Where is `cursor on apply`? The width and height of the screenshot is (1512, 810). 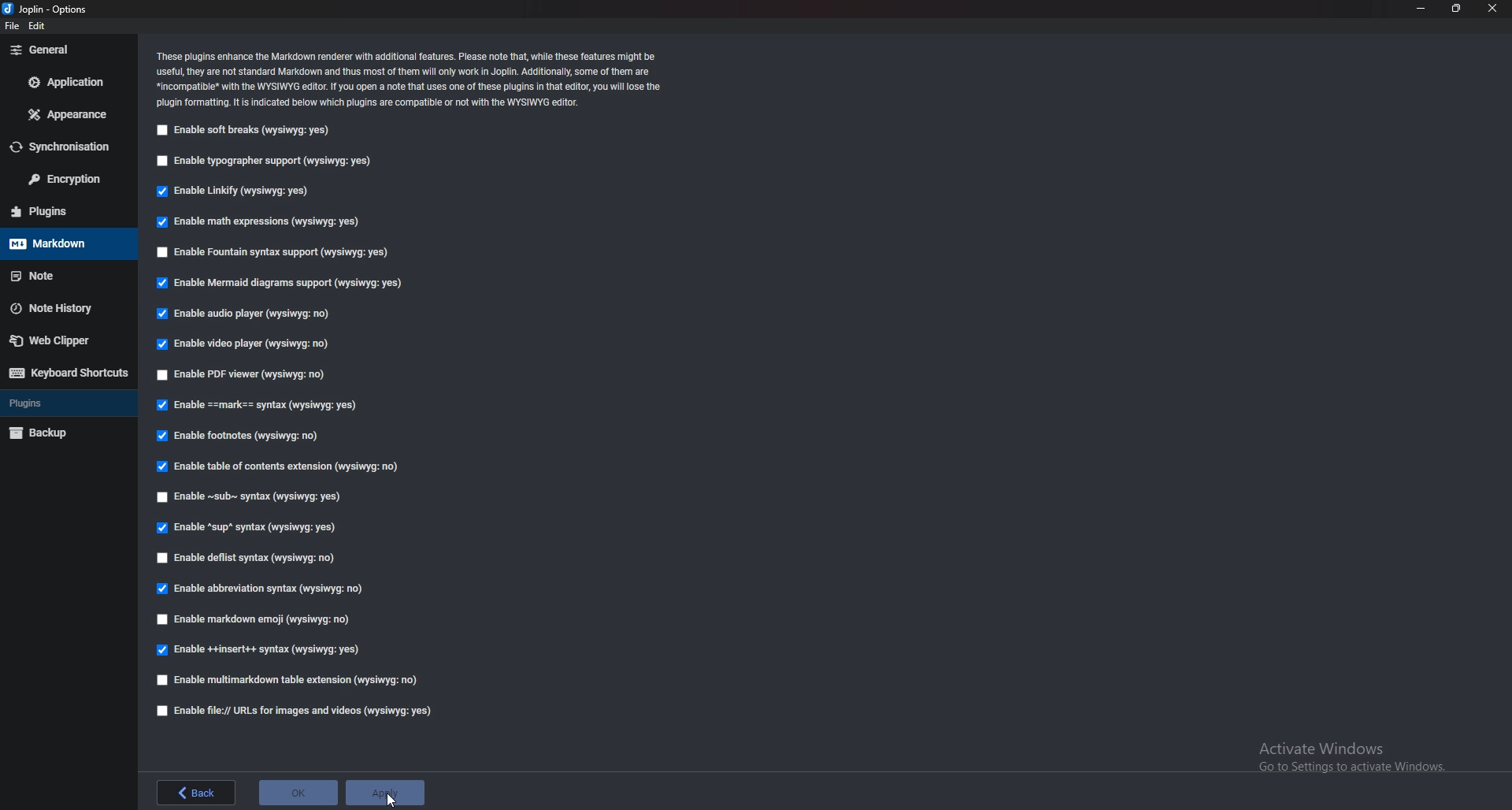
cursor on apply is located at coordinates (387, 793).